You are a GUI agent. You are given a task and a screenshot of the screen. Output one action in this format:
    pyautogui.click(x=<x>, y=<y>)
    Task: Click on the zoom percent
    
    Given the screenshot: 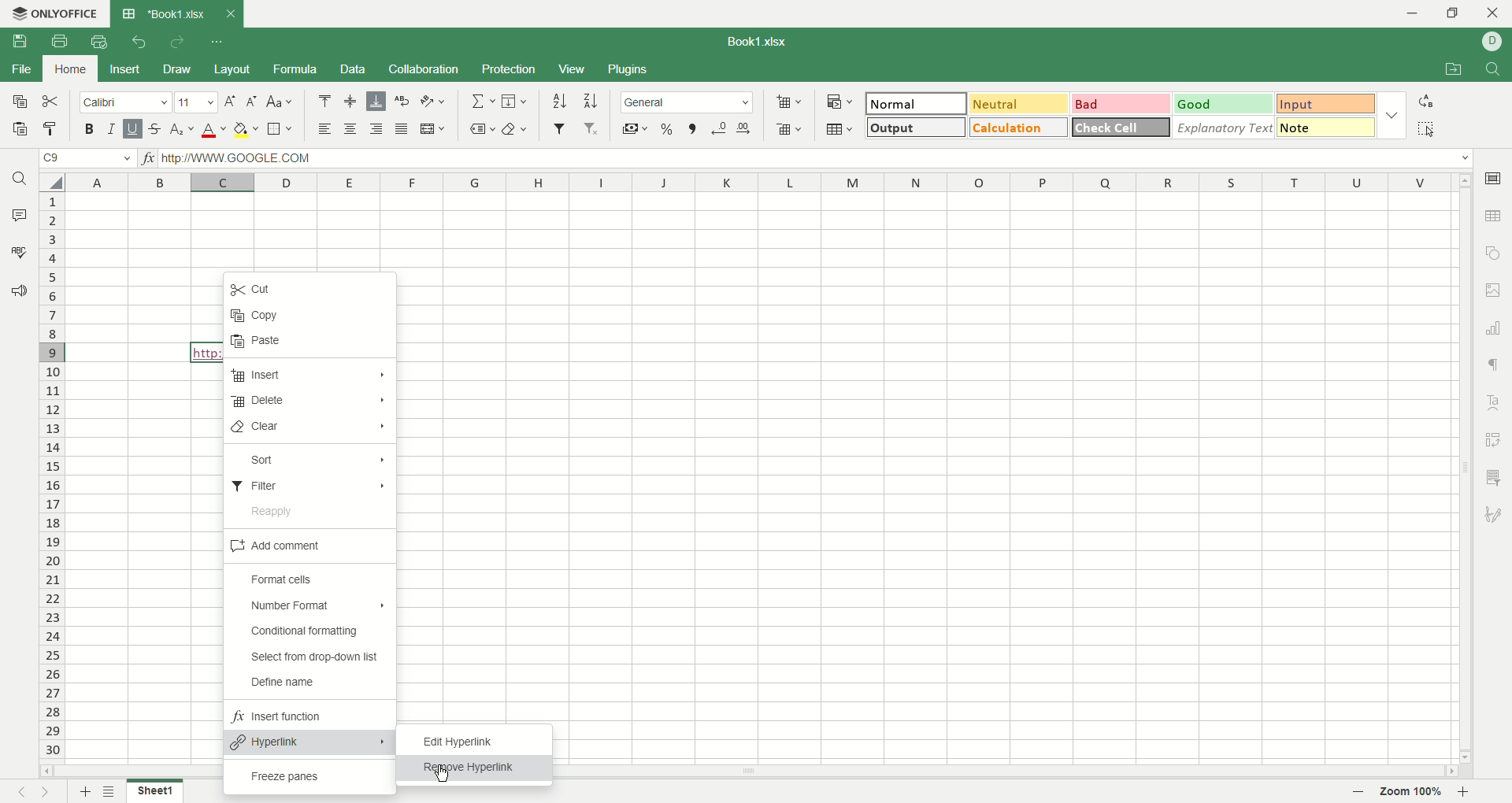 What is the action you would take?
    pyautogui.click(x=1414, y=791)
    